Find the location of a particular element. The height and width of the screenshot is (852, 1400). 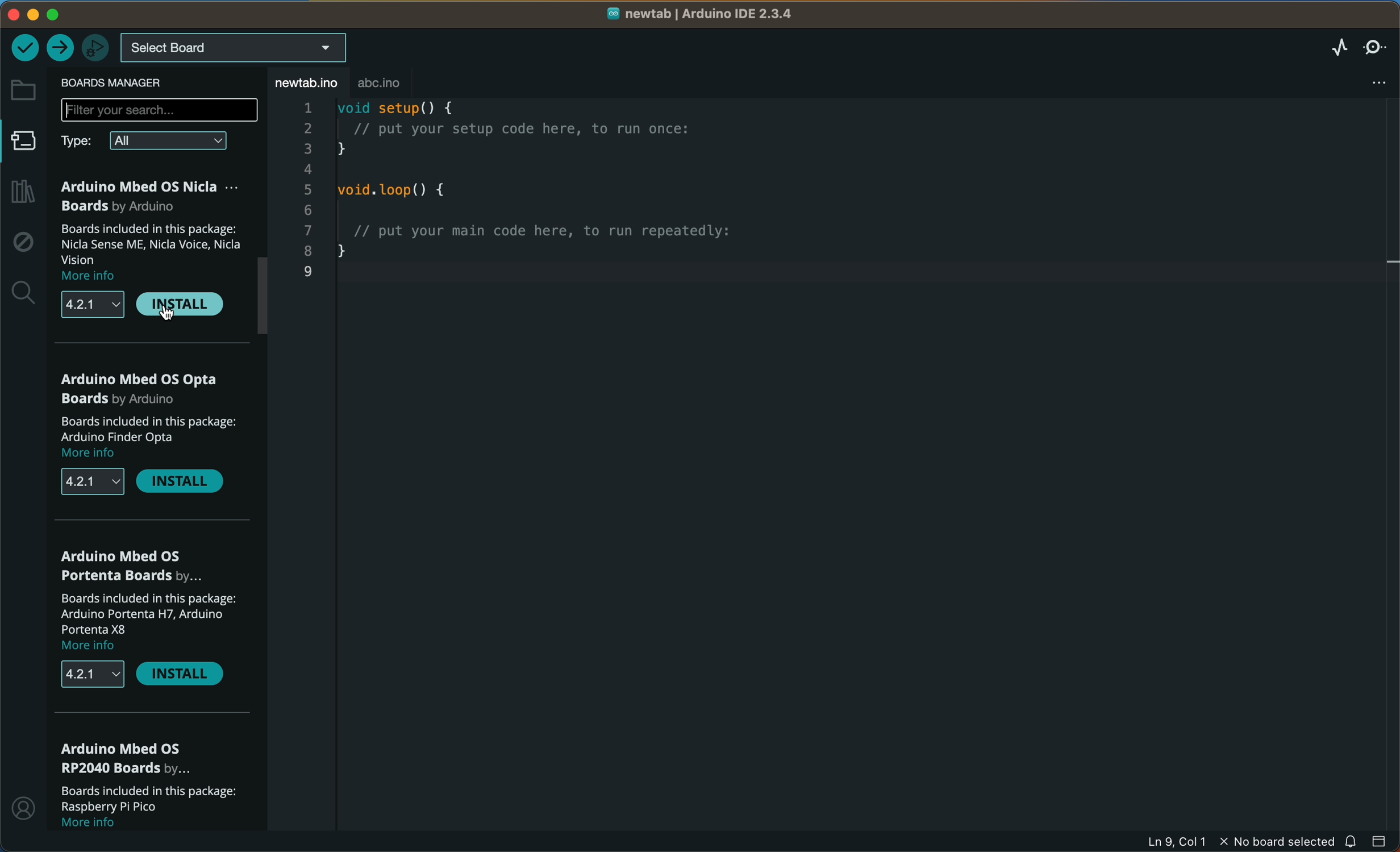

type filter is located at coordinates (81, 142).